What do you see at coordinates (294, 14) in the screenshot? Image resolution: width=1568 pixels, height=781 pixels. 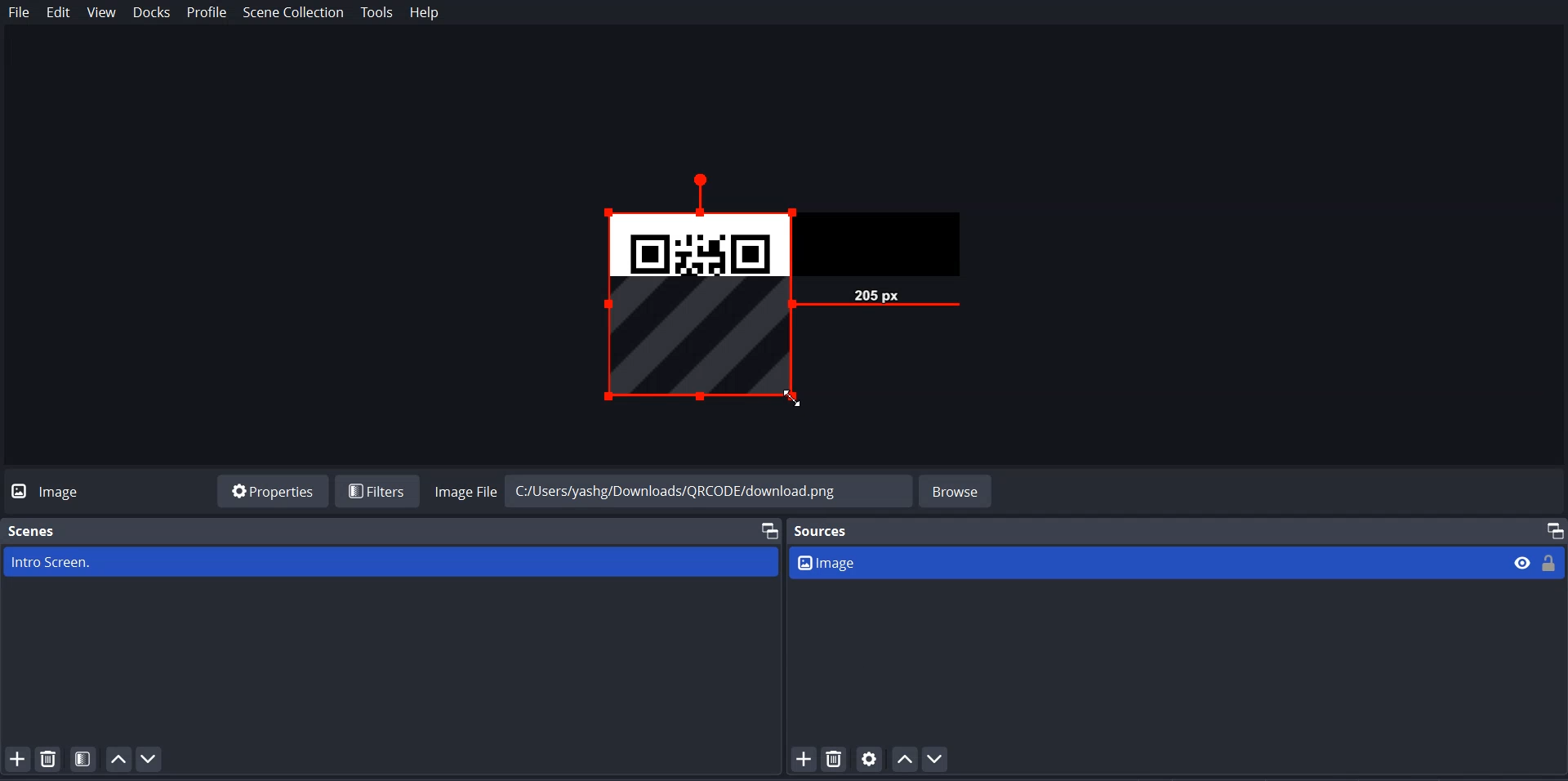 I see `Scene Collection` at bounding box center [294, 14].